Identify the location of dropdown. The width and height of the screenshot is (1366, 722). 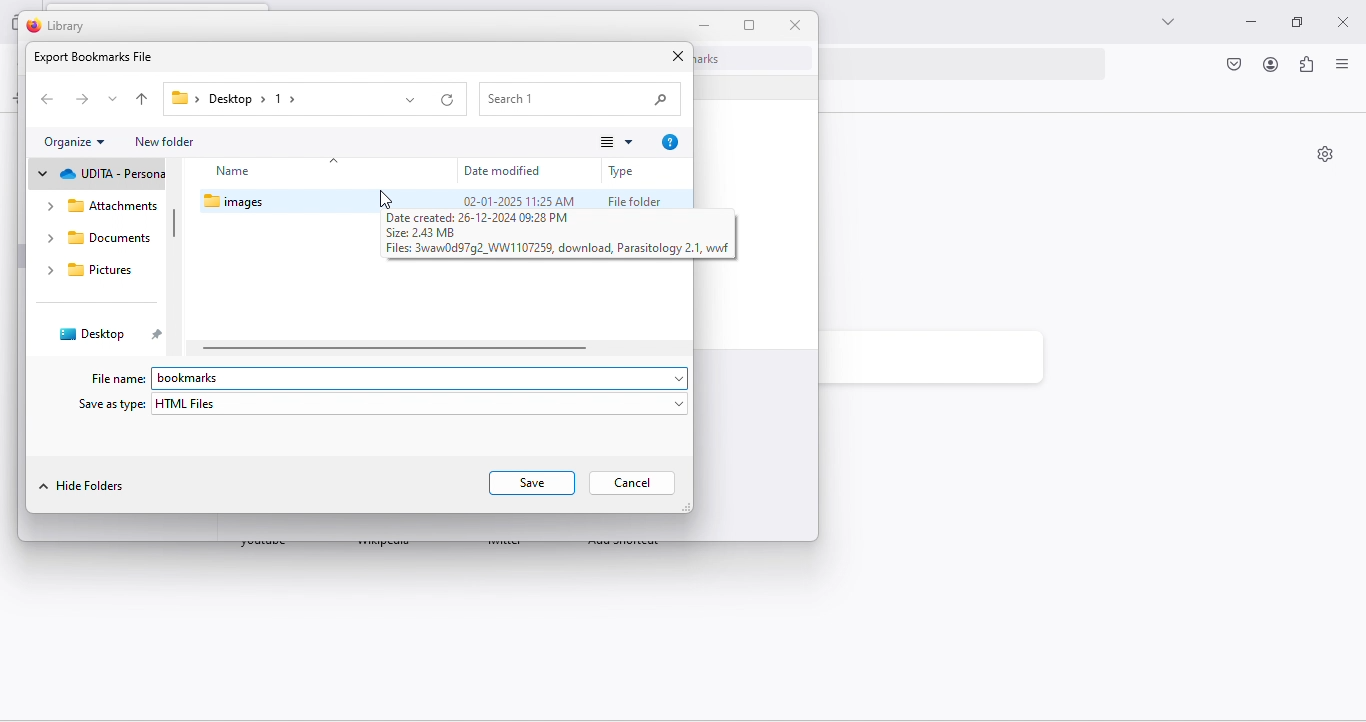
(408, 100).